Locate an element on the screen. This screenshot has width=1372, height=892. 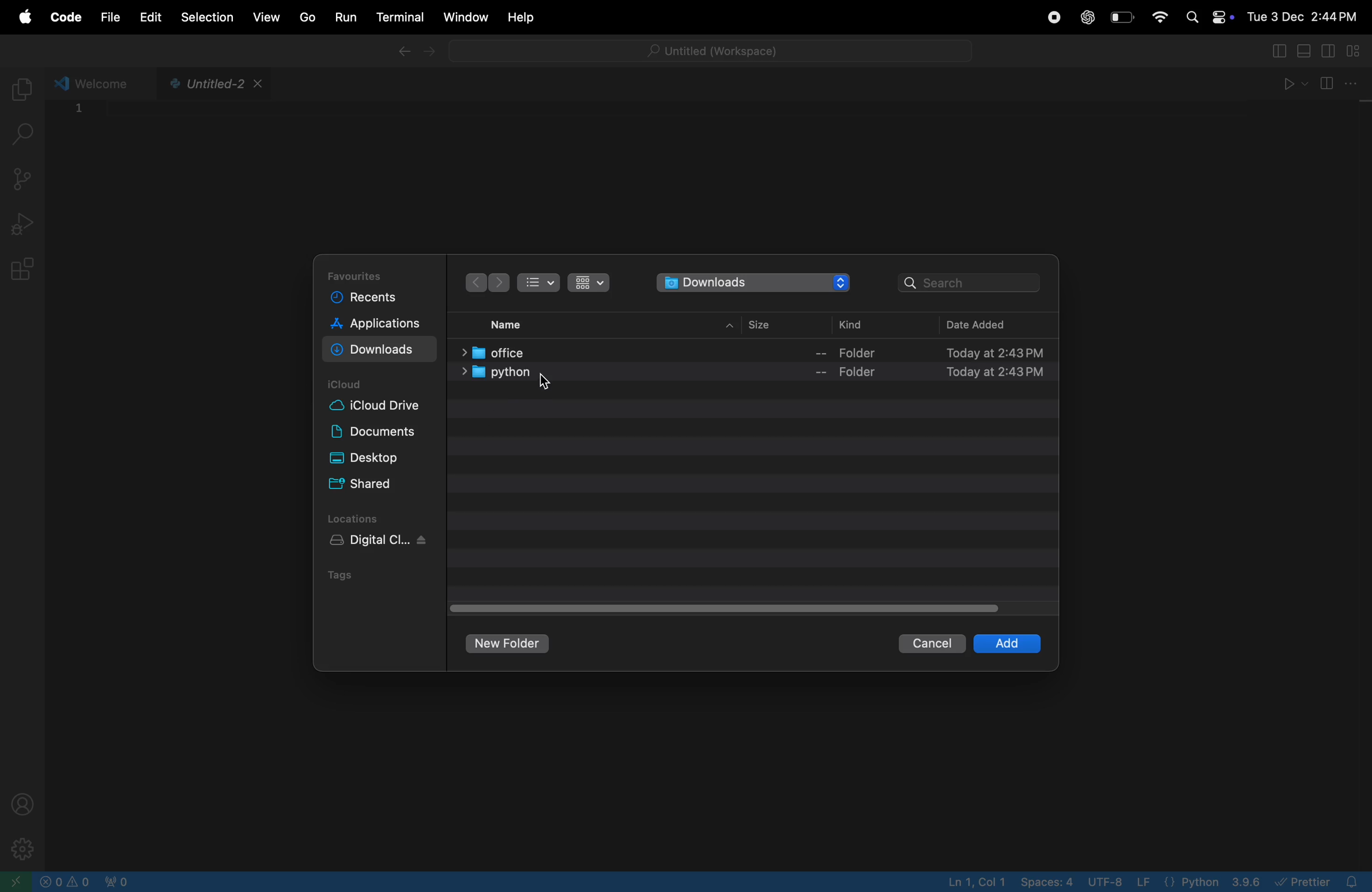
search is located at coordinates (971, 282).